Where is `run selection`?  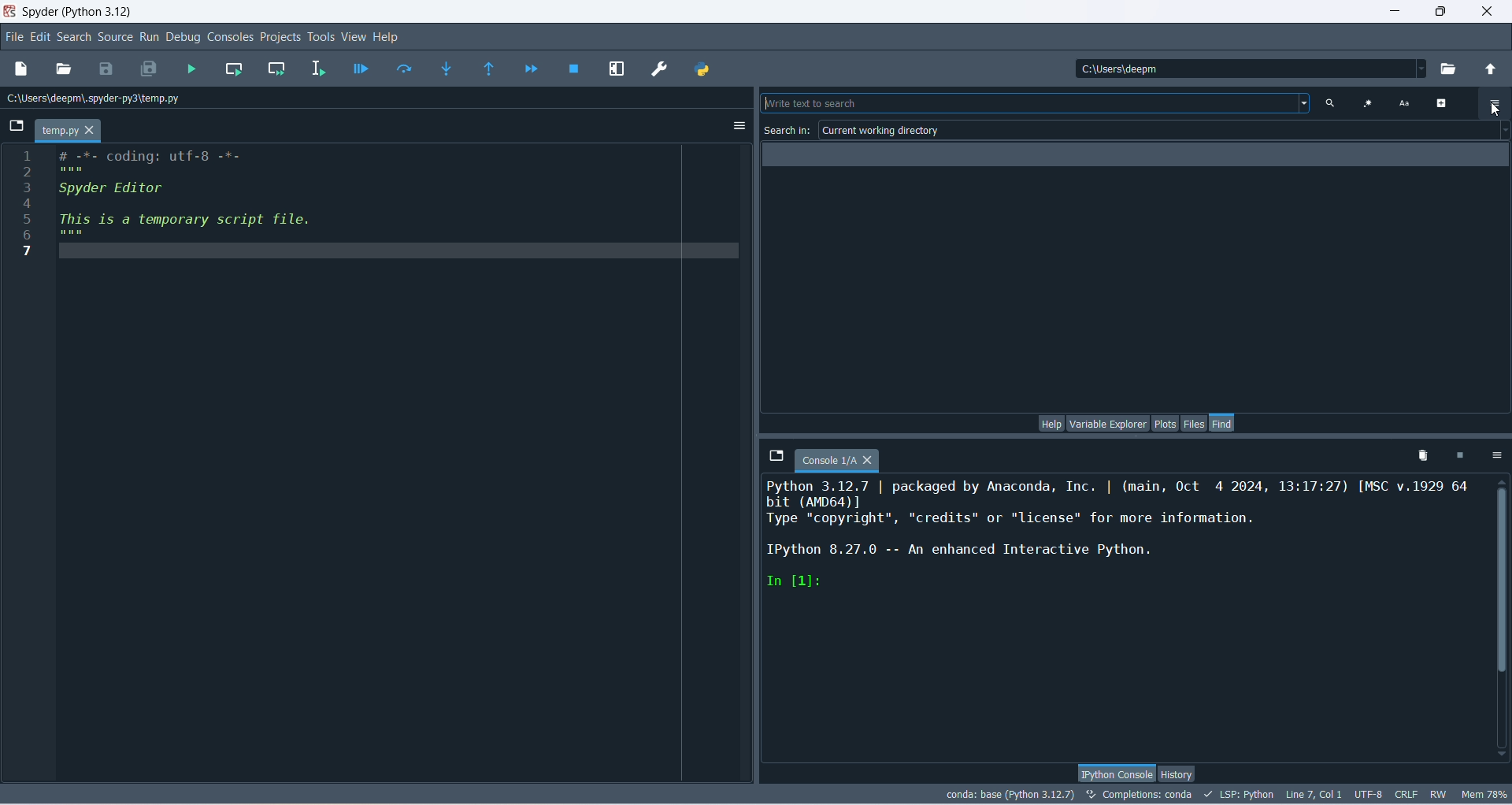 run selection is located at coordinates (320, 68).